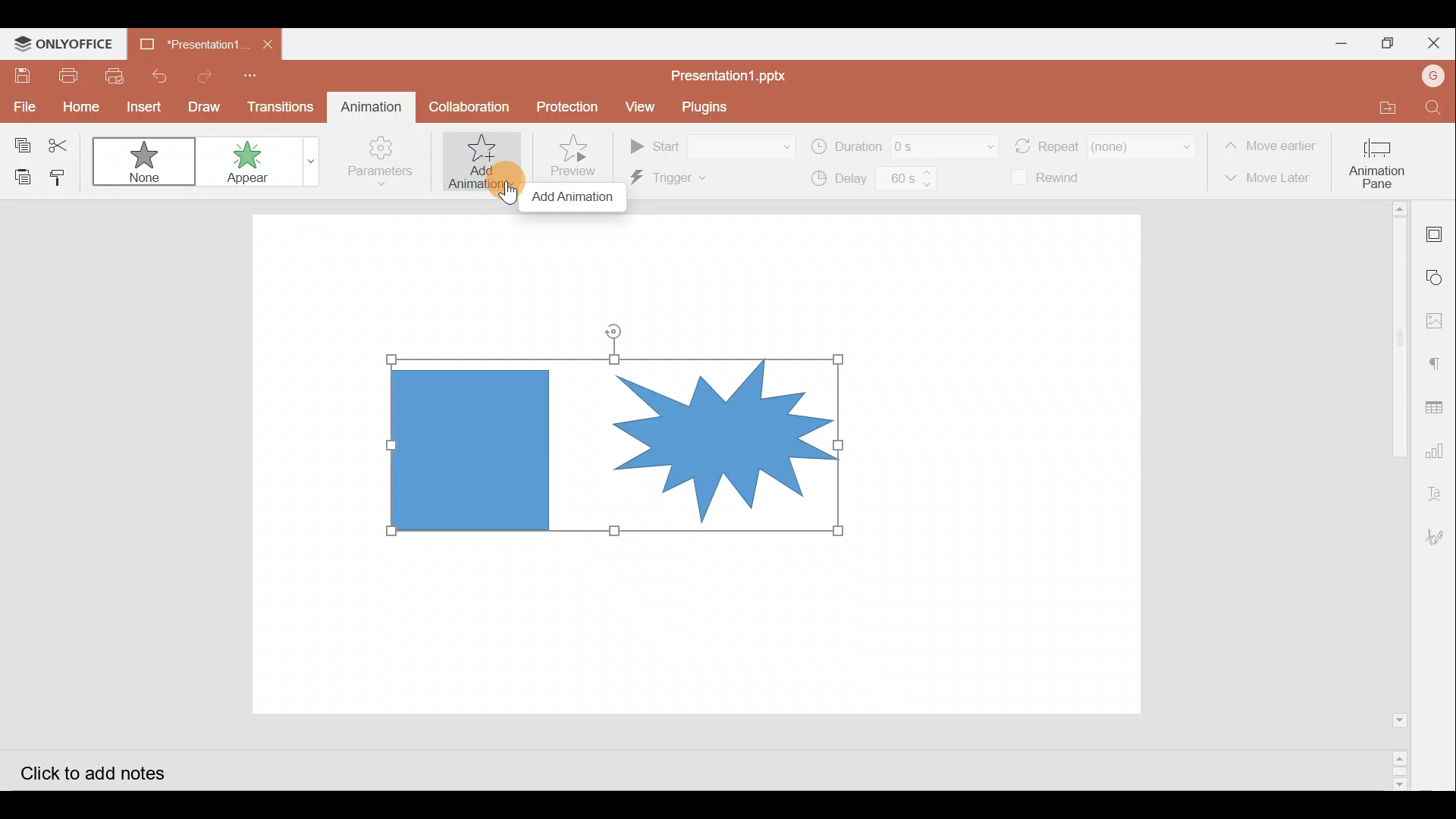 The height and width of the screenshot is (819, 1456). I want to click on None, so click(146, 163).